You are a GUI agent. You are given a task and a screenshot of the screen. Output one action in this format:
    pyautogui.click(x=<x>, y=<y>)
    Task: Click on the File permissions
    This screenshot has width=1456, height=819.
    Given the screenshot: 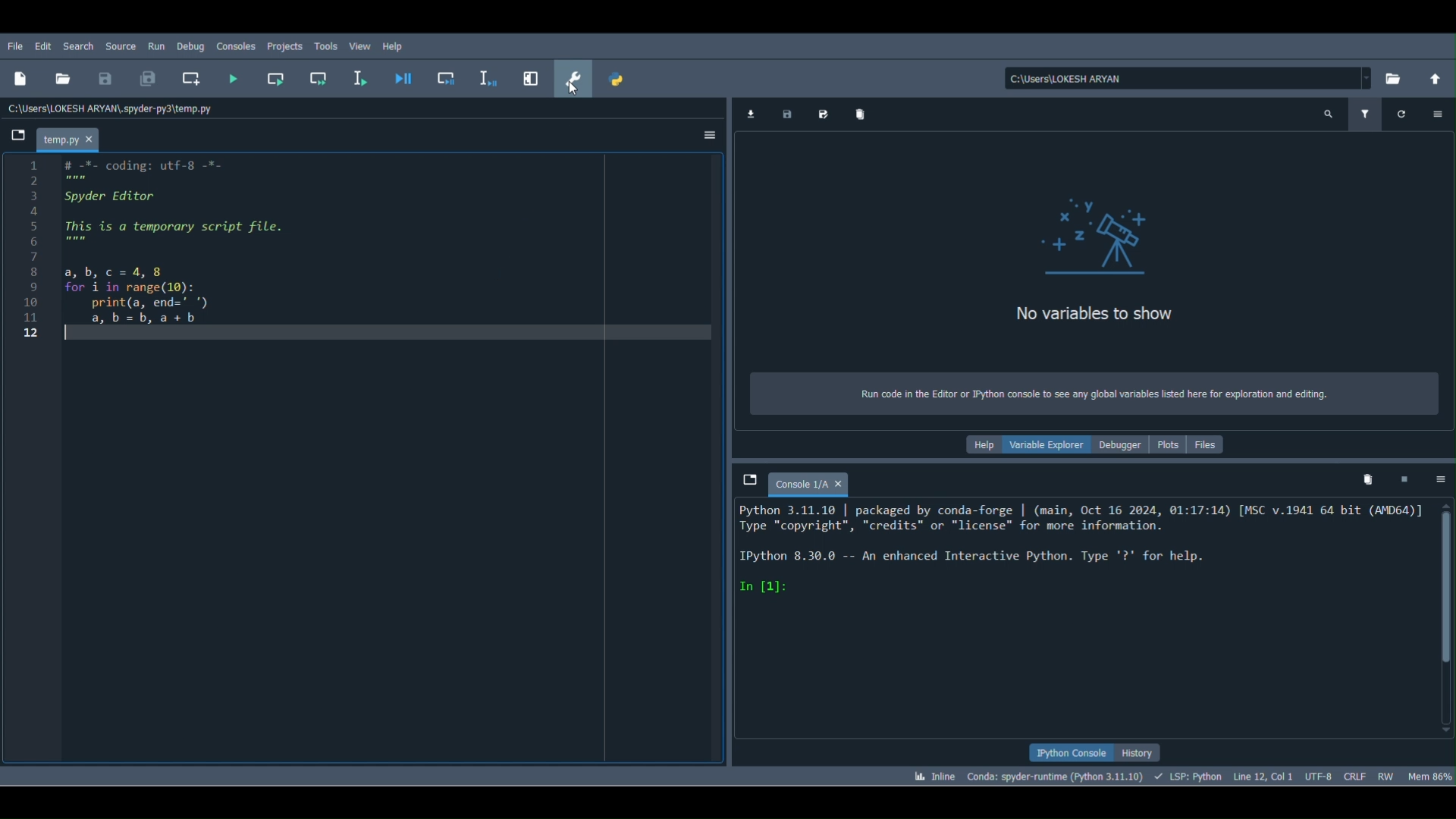 What is the action you would take?
    pyautogui.click(x=1391, y=774)
    